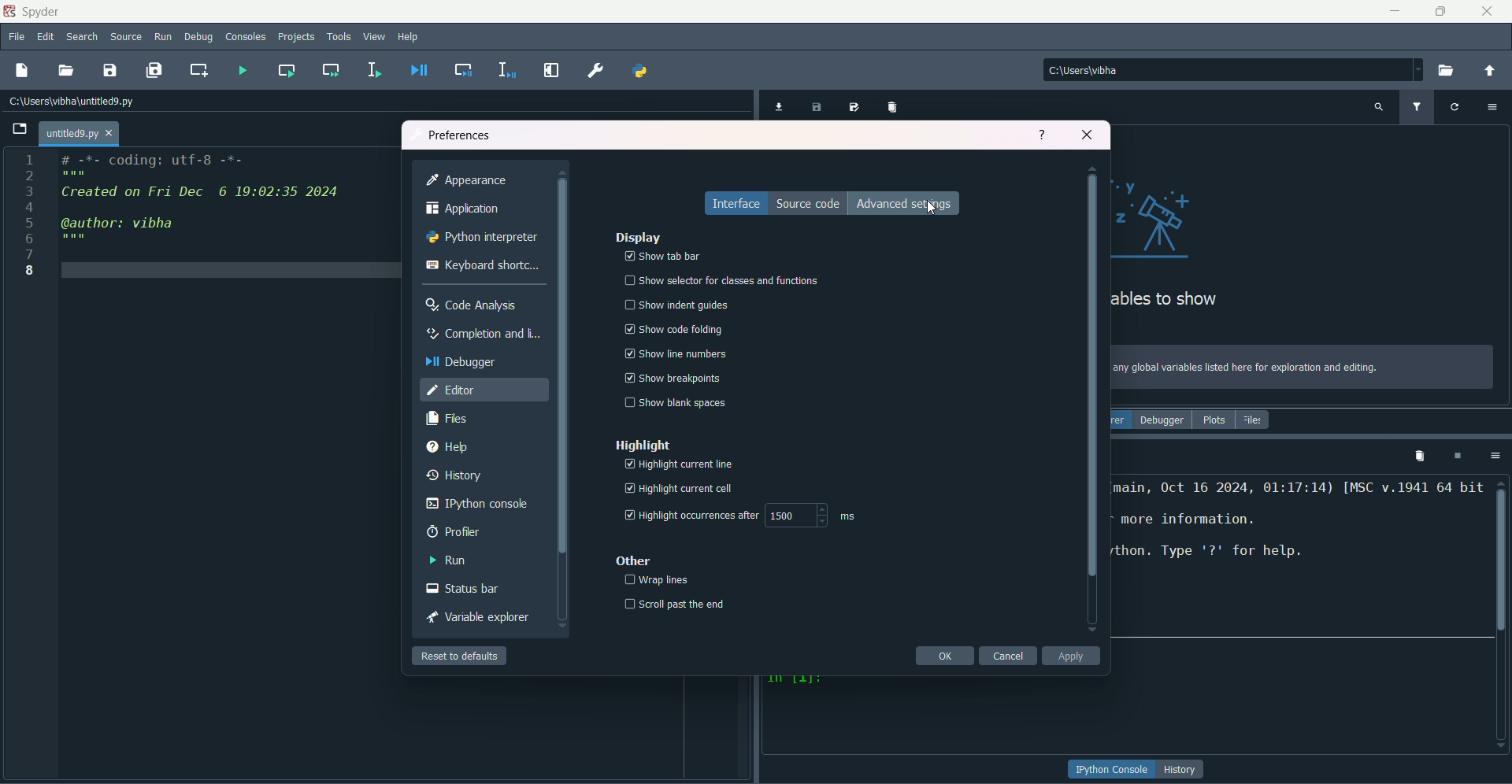 The width and height of the screenshot is (1512, 784). I want to click on scrollbar, so click(1502, 556).